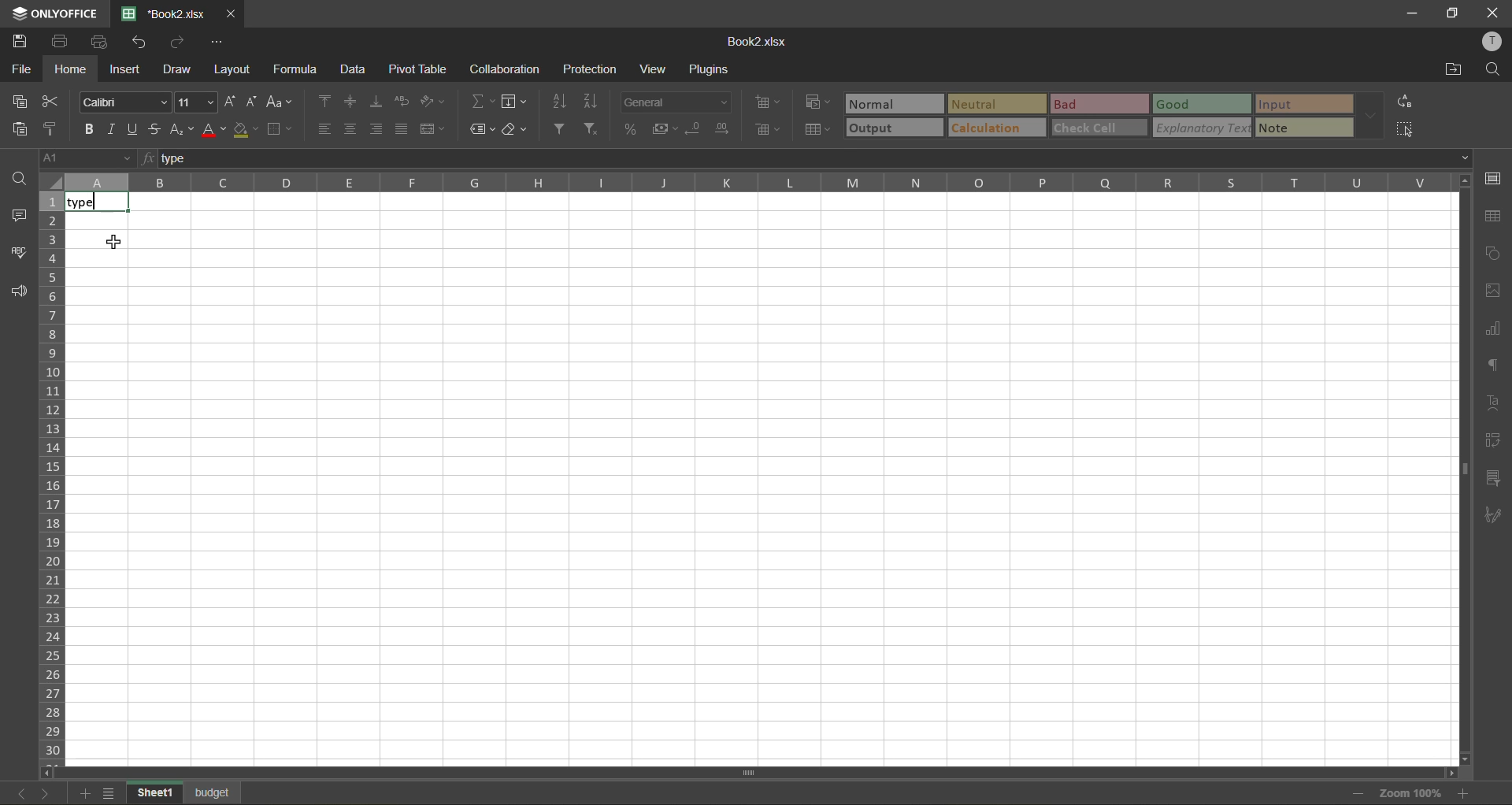 Image resolution: width=1512 pixels, height=805 pixels. I want to click on number format, so click(675, 103).